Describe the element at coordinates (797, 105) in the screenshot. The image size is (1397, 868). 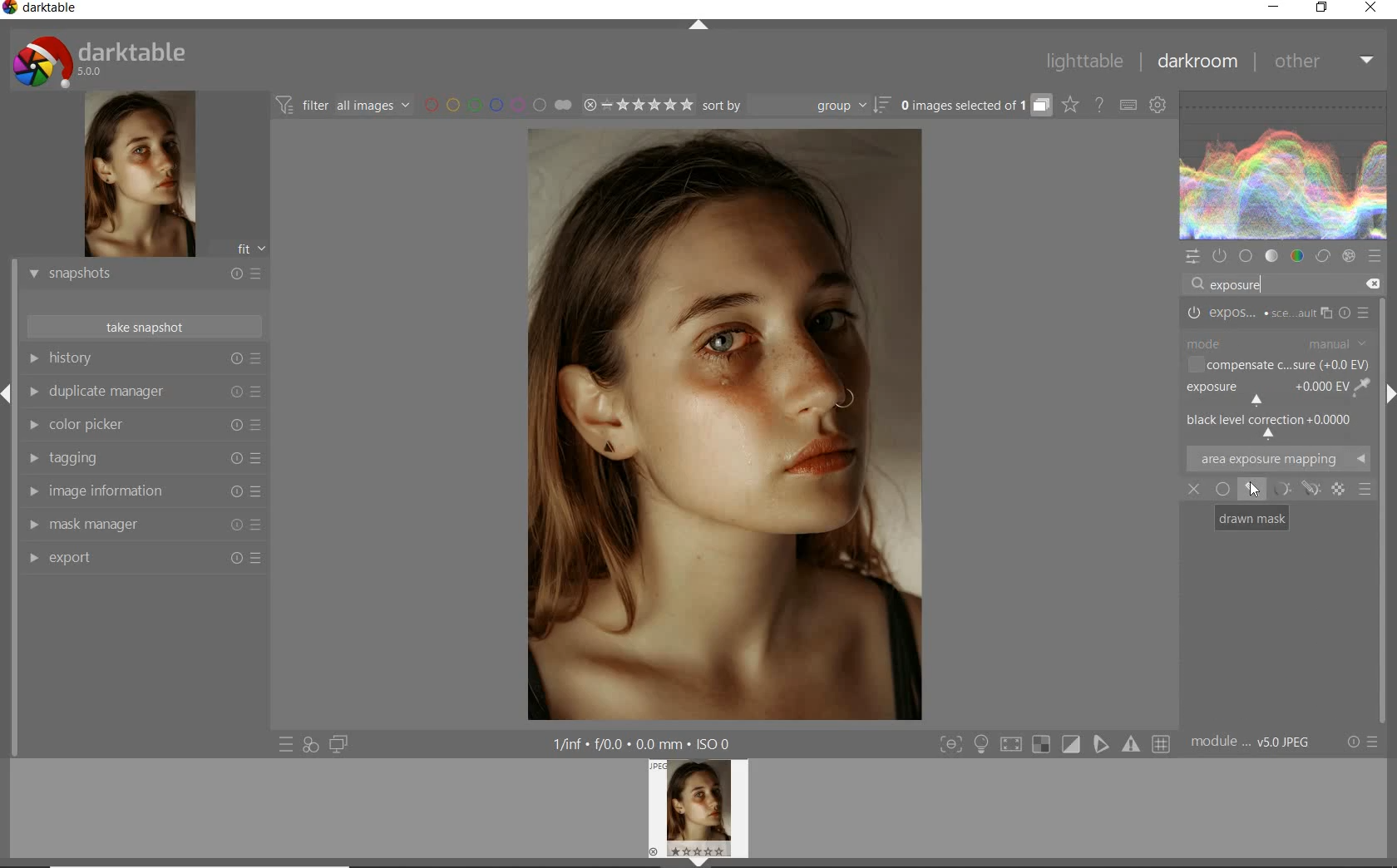
I see `sort` at that location.